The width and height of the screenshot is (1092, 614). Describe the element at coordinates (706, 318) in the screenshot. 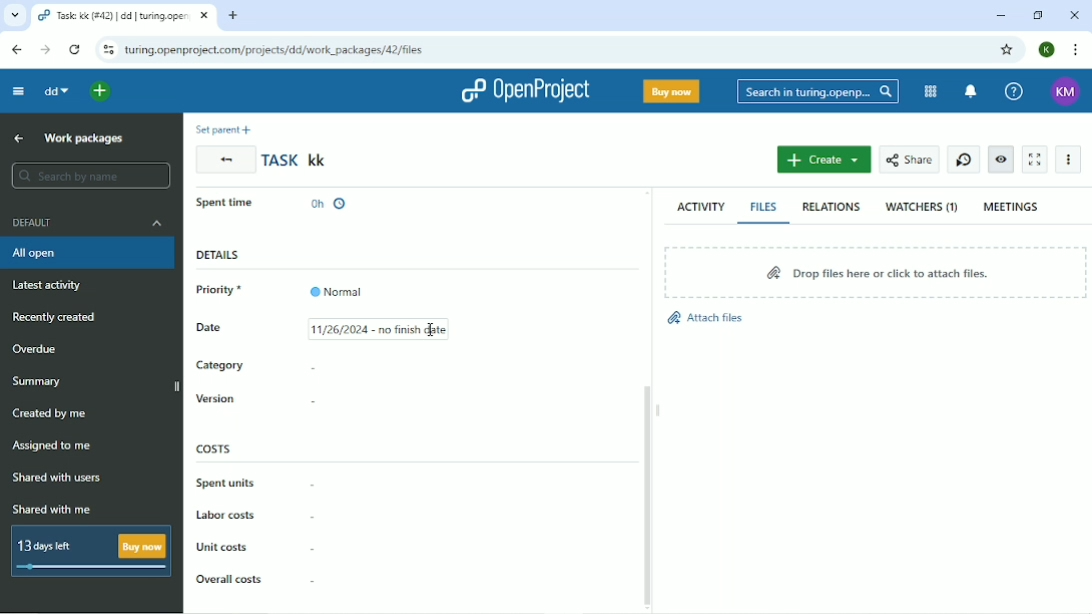

I see `Attach files` at that location.